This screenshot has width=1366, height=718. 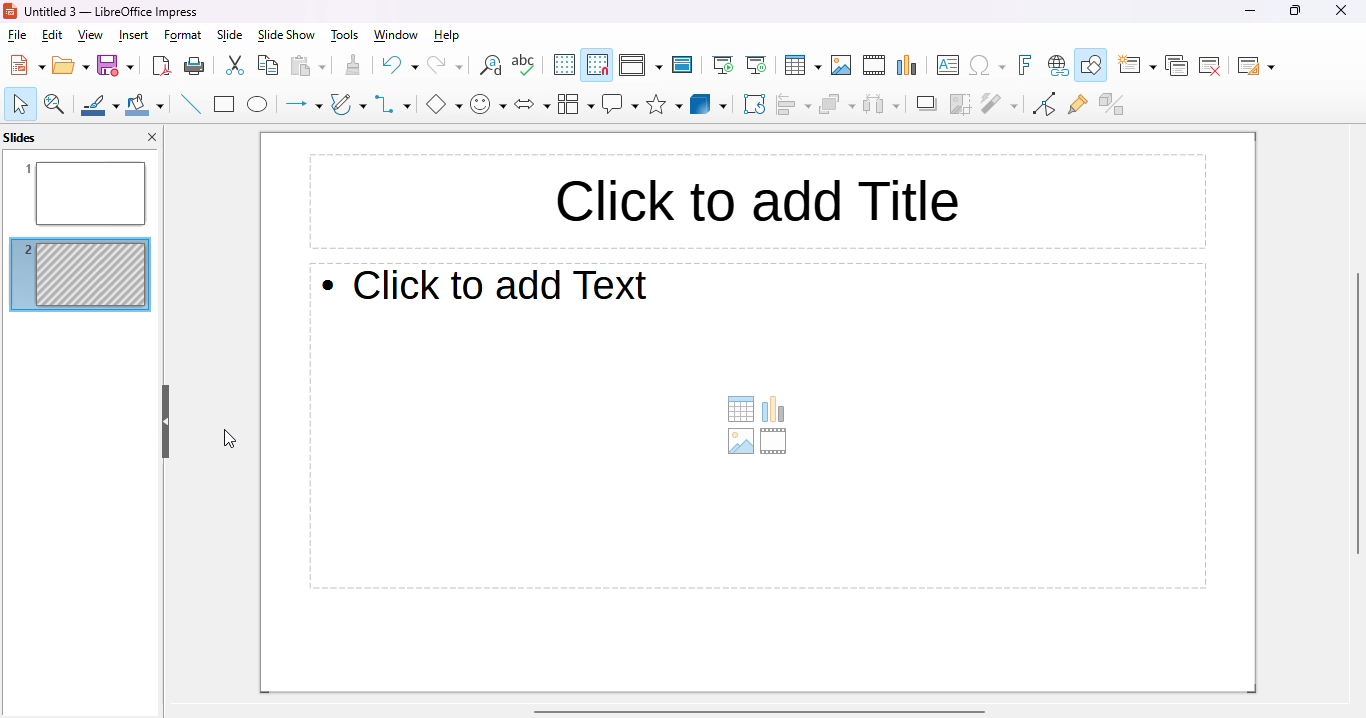 I want to click on new, so click(x=27, y=65).